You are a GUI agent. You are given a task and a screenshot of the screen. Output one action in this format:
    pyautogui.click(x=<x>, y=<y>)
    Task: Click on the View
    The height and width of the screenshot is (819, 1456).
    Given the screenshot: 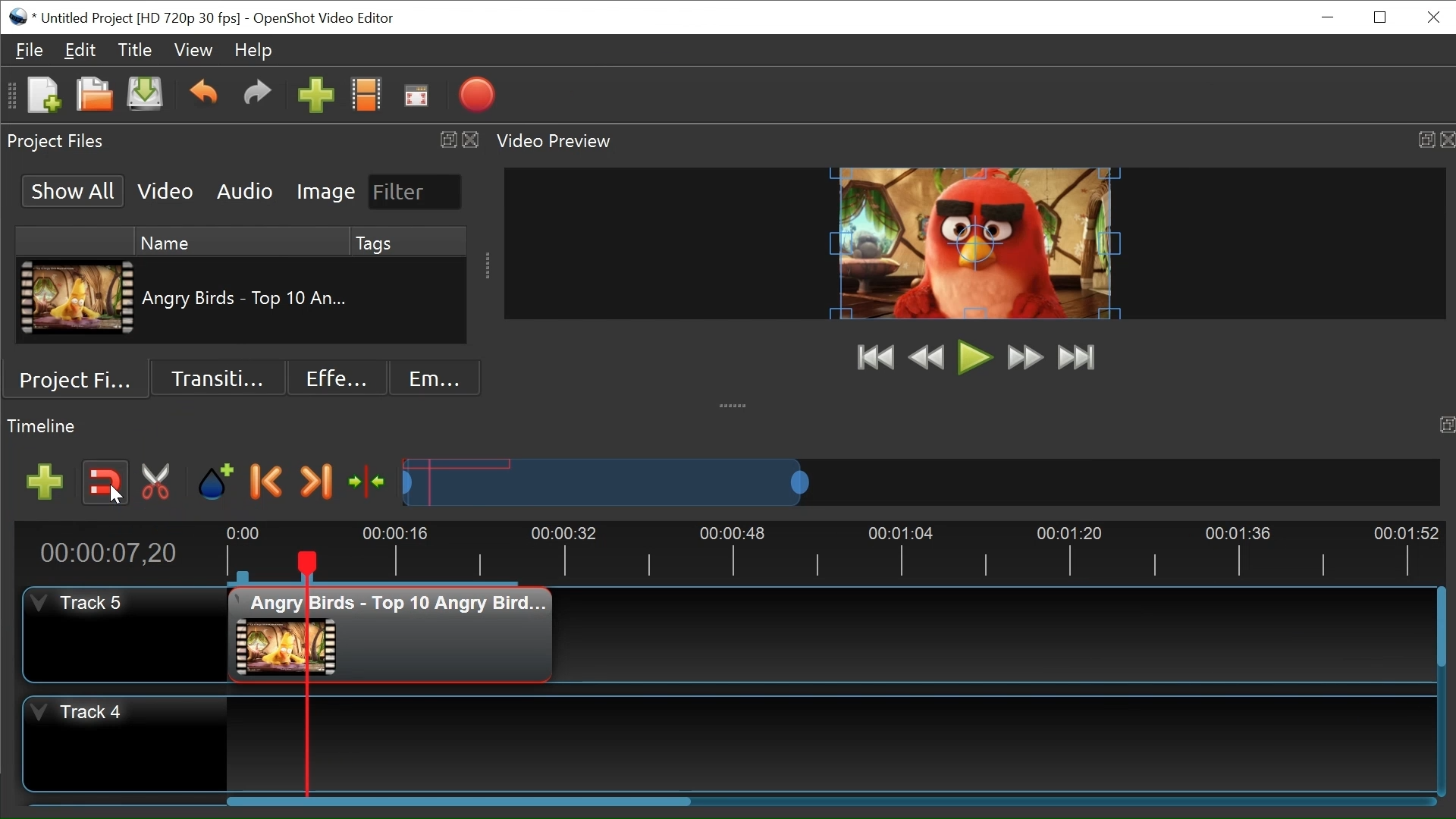 What is the action you would take?
    pyautogui.click(x=194, y=49)
    